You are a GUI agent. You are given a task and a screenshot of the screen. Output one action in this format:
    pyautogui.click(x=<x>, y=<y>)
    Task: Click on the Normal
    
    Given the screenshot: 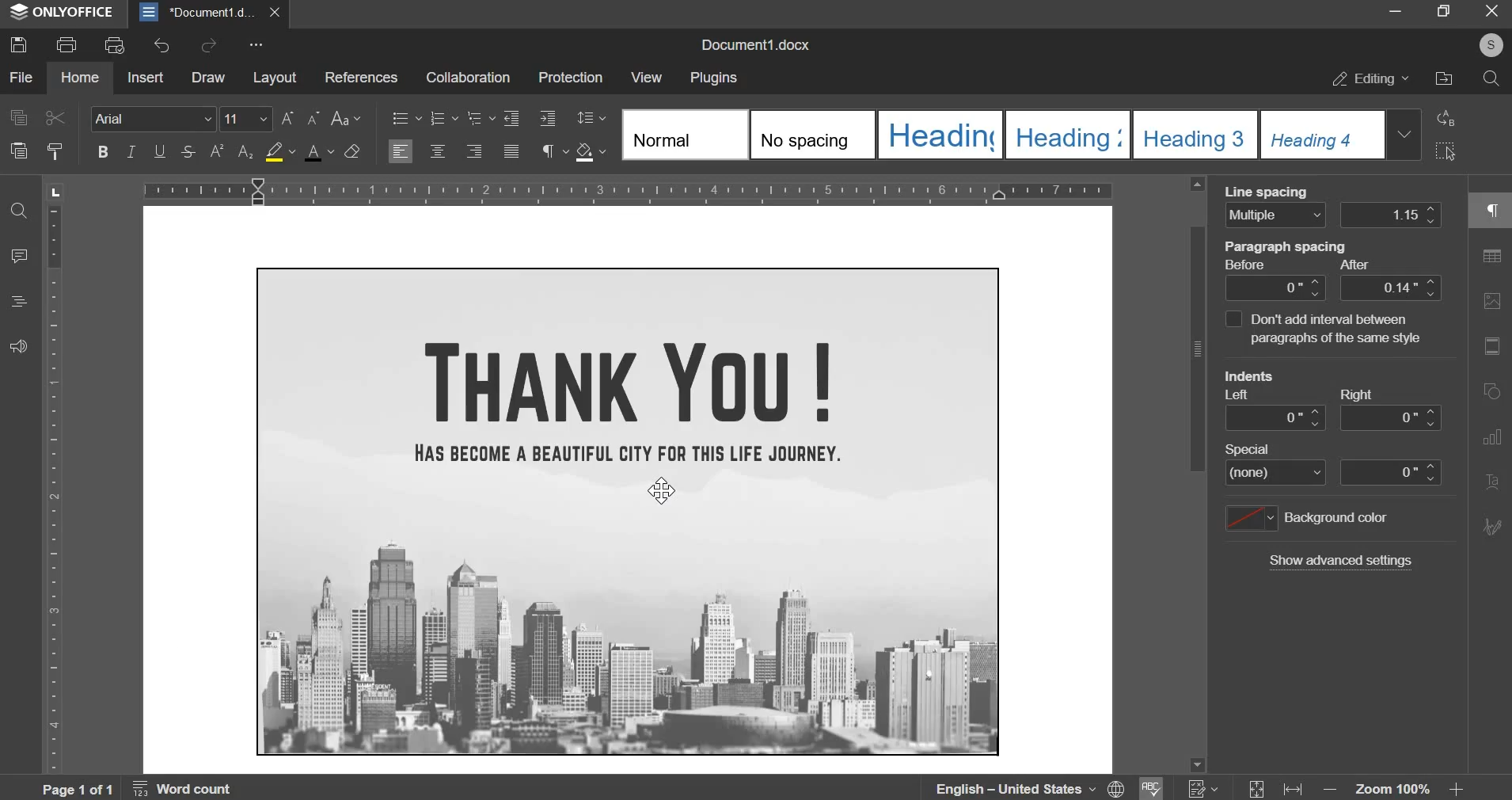 What is the action you would take?
    pyautogui.click(x=682, y=135)
    